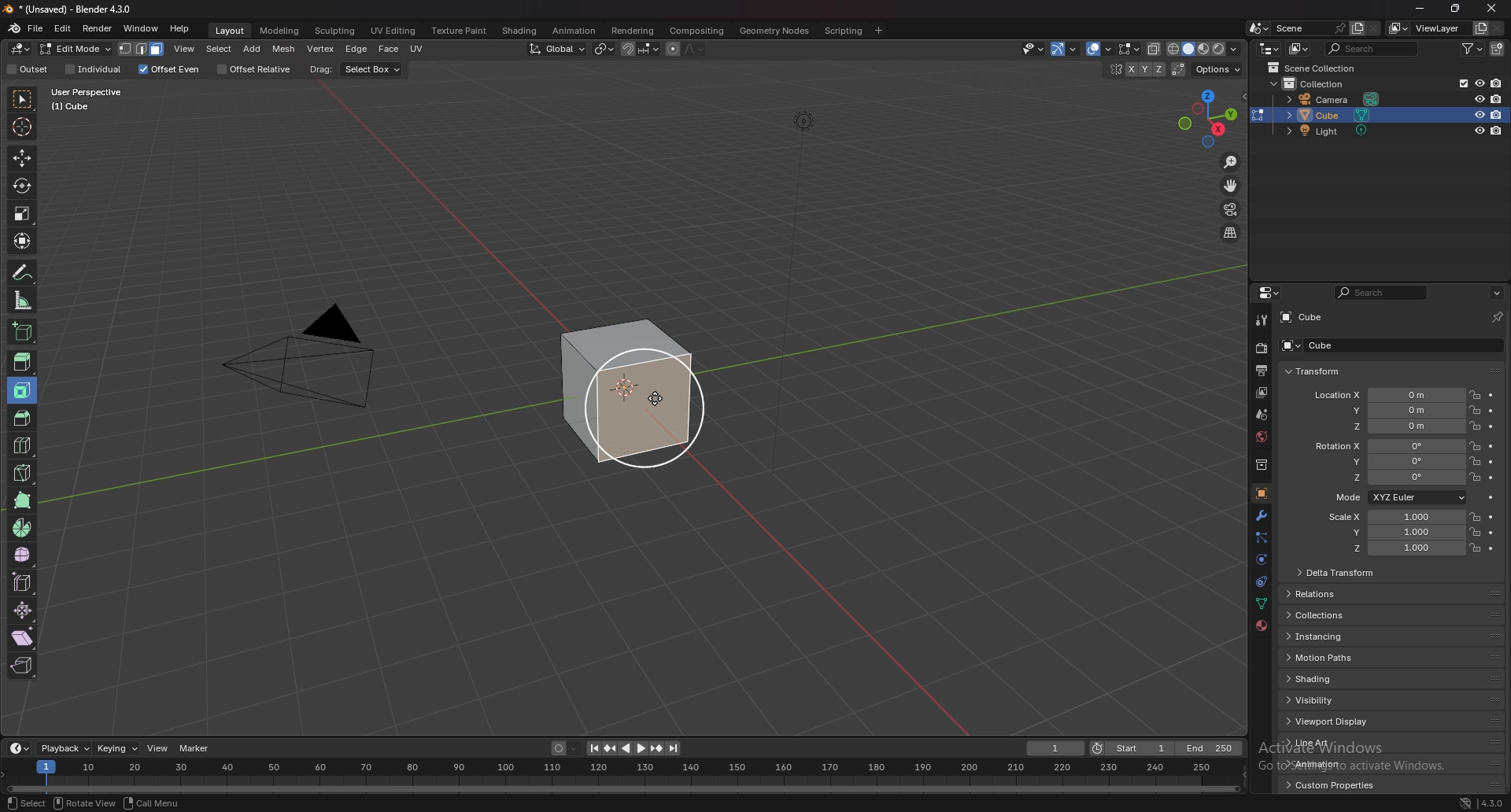 The image size is (1511, 812). What do you see at coordinates (257, 69) in the screenshot?
I see `offset relative` at bounding box center [257, 69].